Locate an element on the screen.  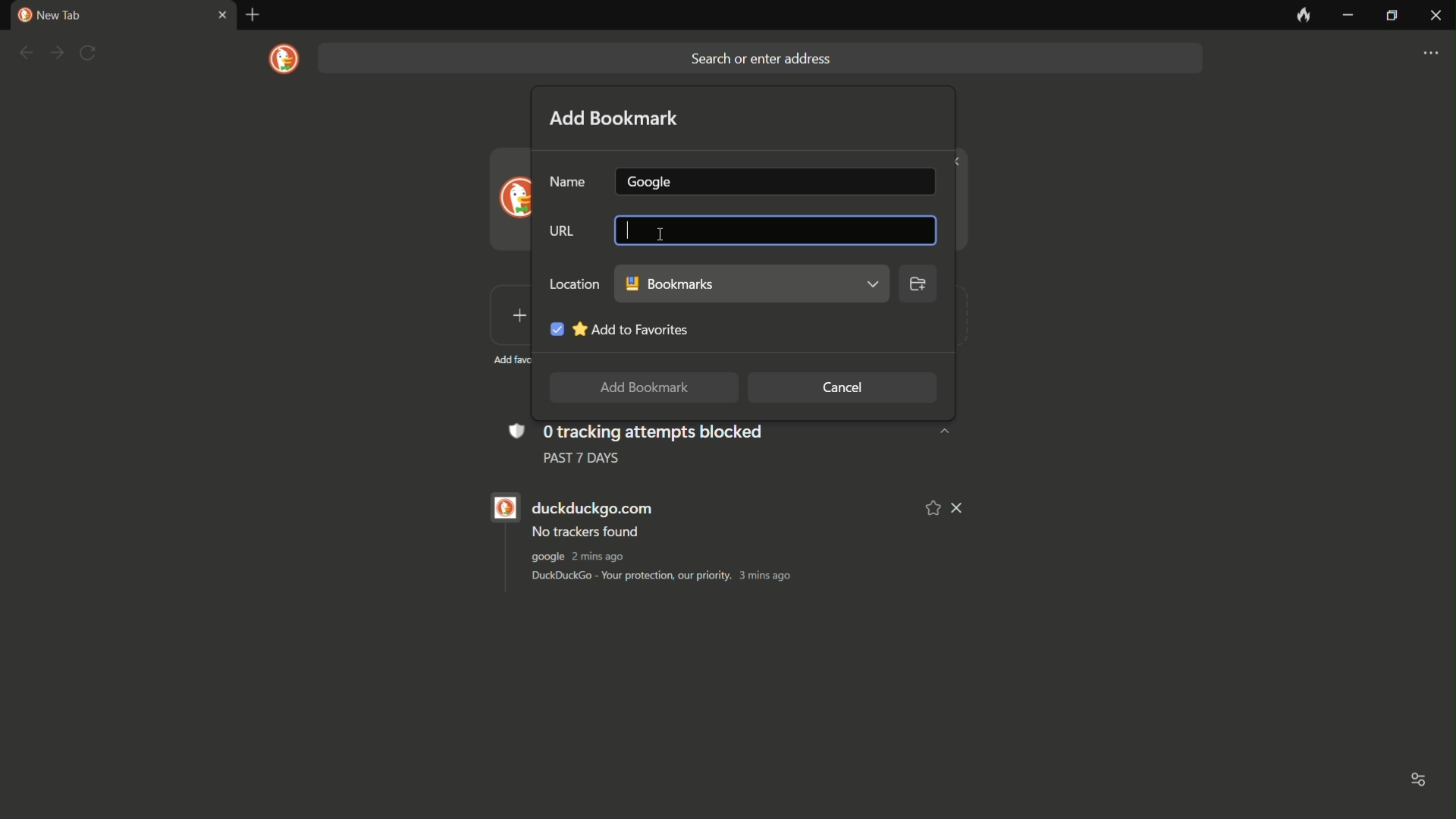
settings is located at coordinates (1430, 54).